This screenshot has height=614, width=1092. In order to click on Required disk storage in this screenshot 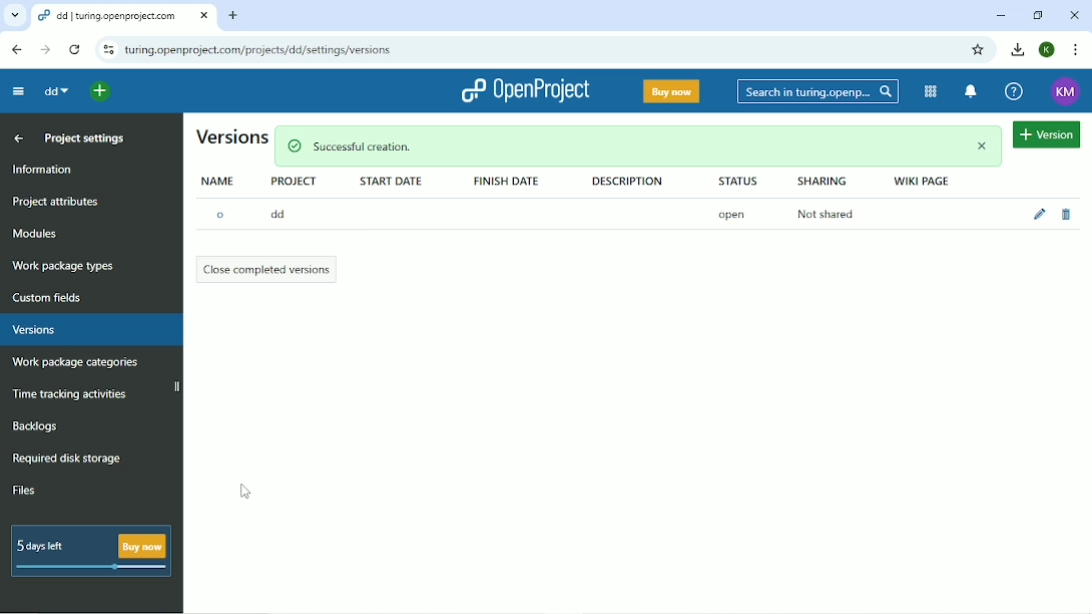, I will do `click(67, 459)`.